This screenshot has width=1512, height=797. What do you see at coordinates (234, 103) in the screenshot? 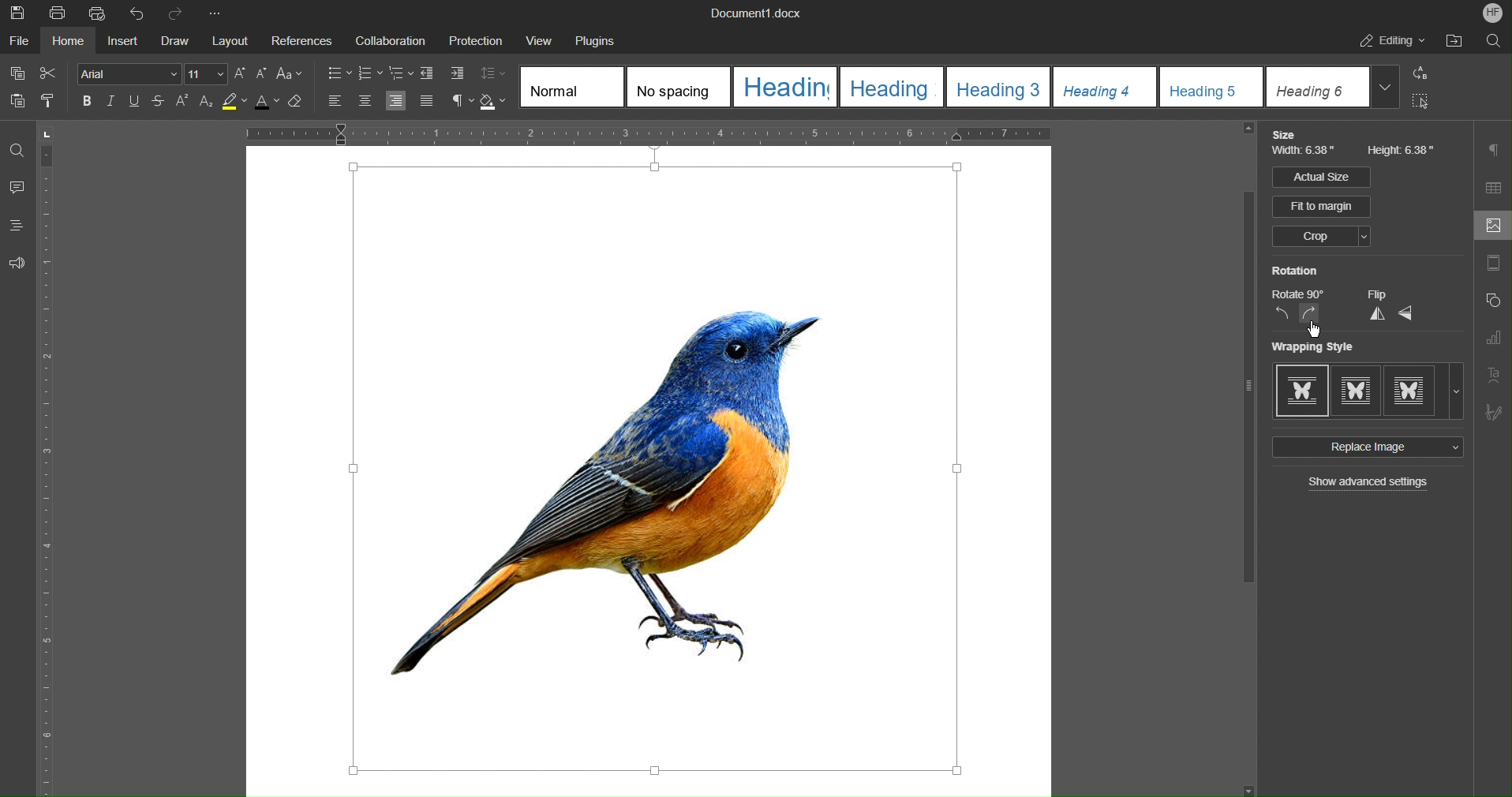
I see `Highlight` at bounding box center [234, 103].